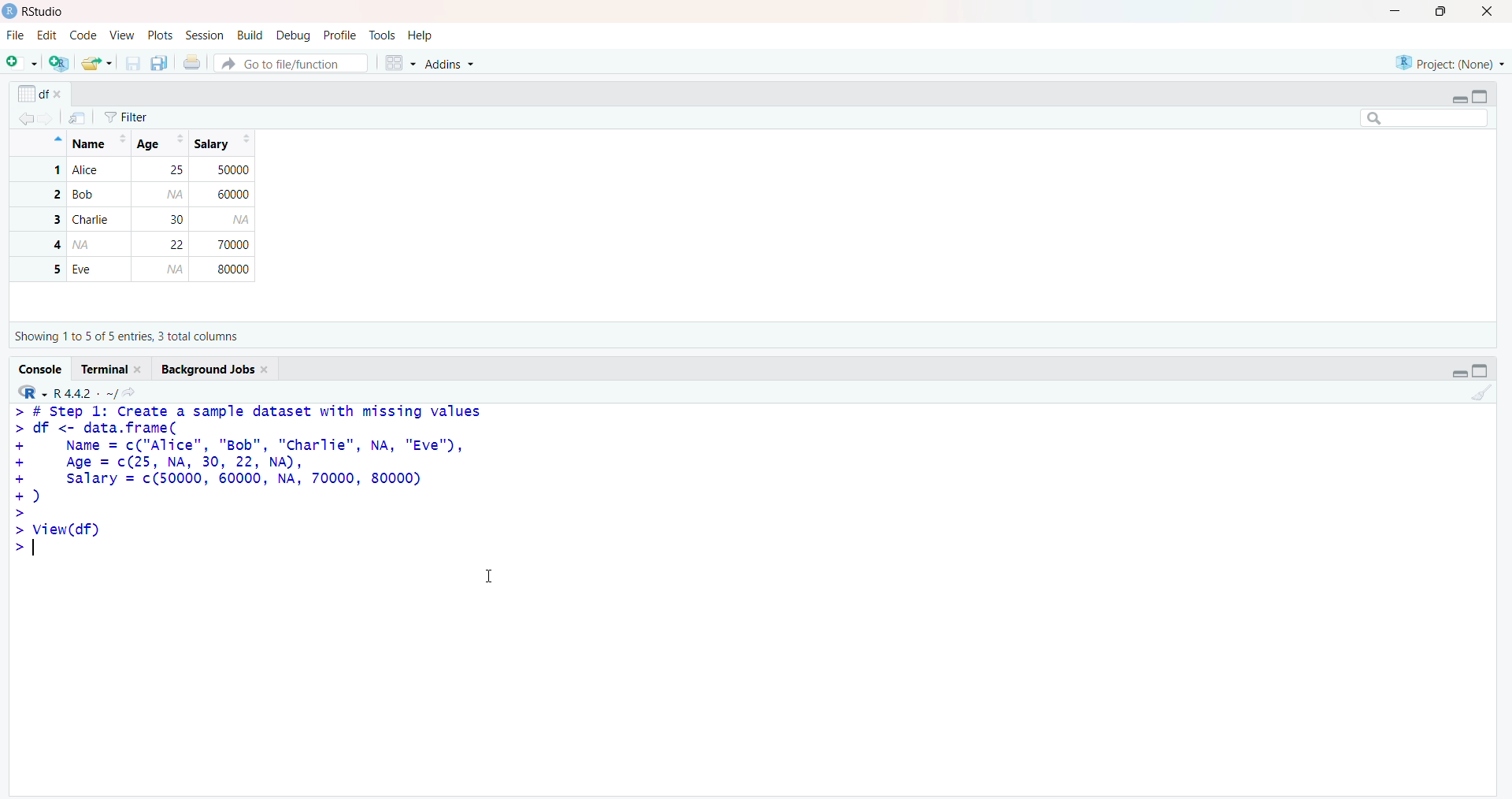 The width and height of the screenshot is (1512, 799). I want to click on Posts, so click(160, 34).